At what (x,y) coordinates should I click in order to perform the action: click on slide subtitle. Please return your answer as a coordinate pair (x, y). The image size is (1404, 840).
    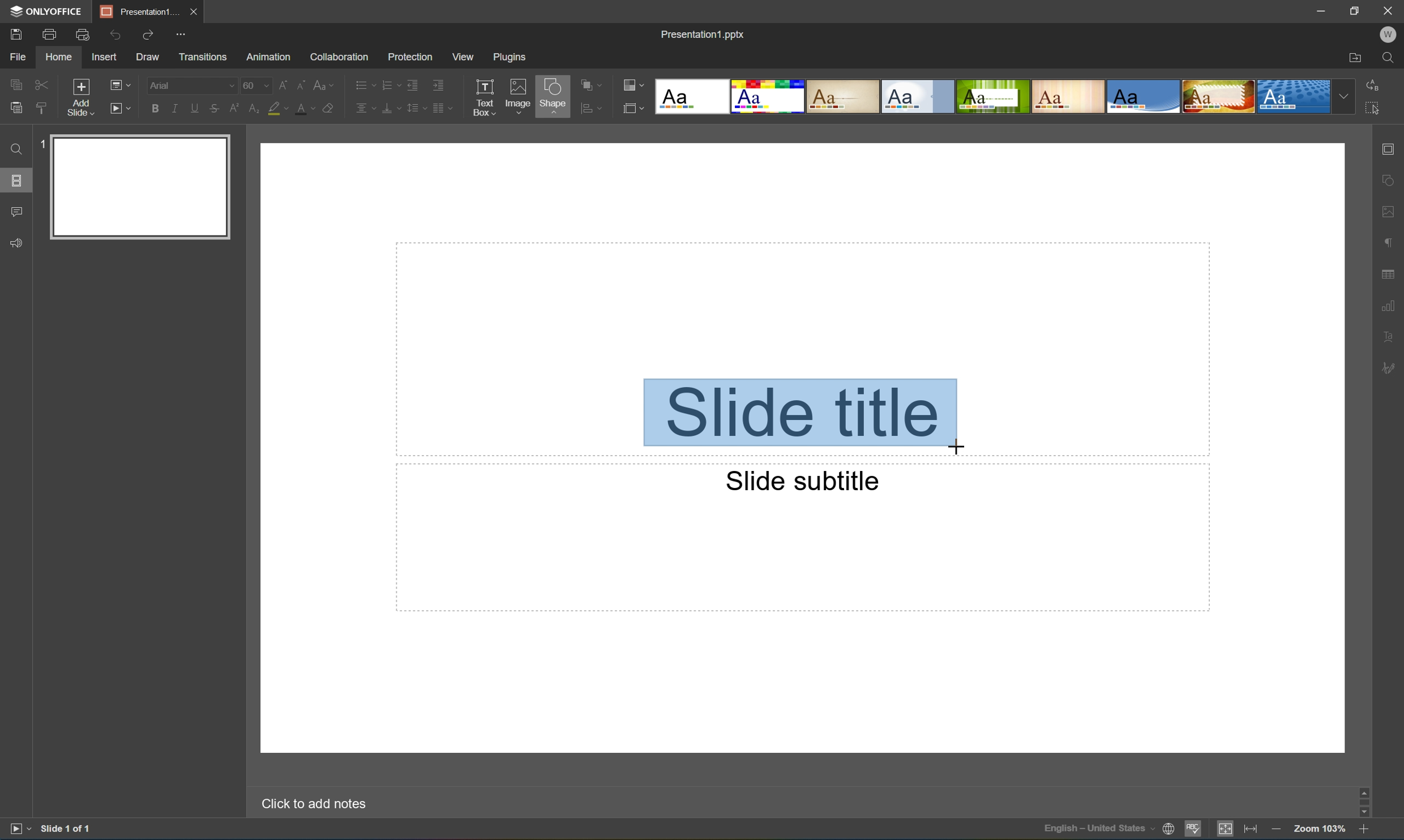
    Looking at the image, I should click on (796, 481).